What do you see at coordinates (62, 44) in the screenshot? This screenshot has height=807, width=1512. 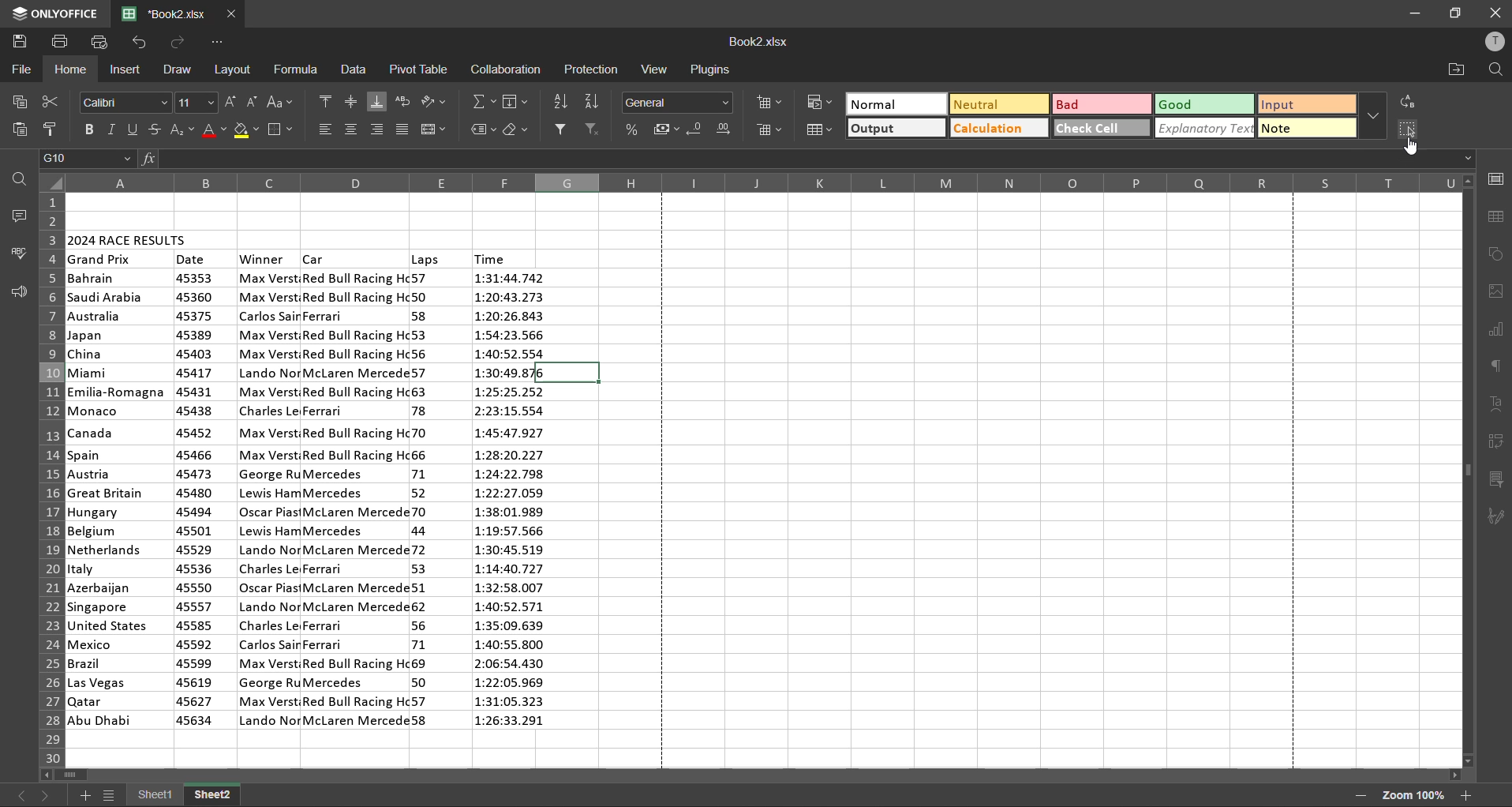 I see `save` at bounding box center [62, 44].